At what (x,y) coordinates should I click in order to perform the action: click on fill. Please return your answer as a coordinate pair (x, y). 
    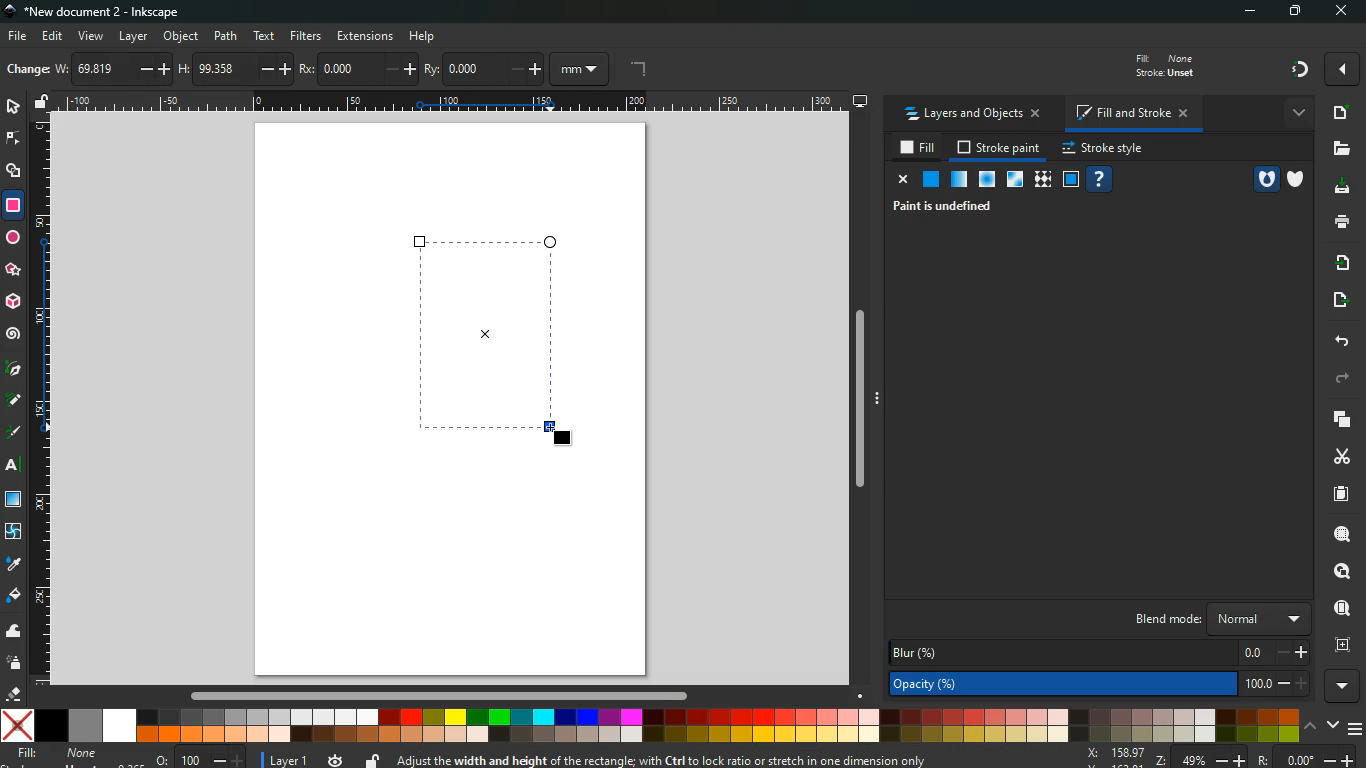
    Looking at the image, I should click on (1177, 64).